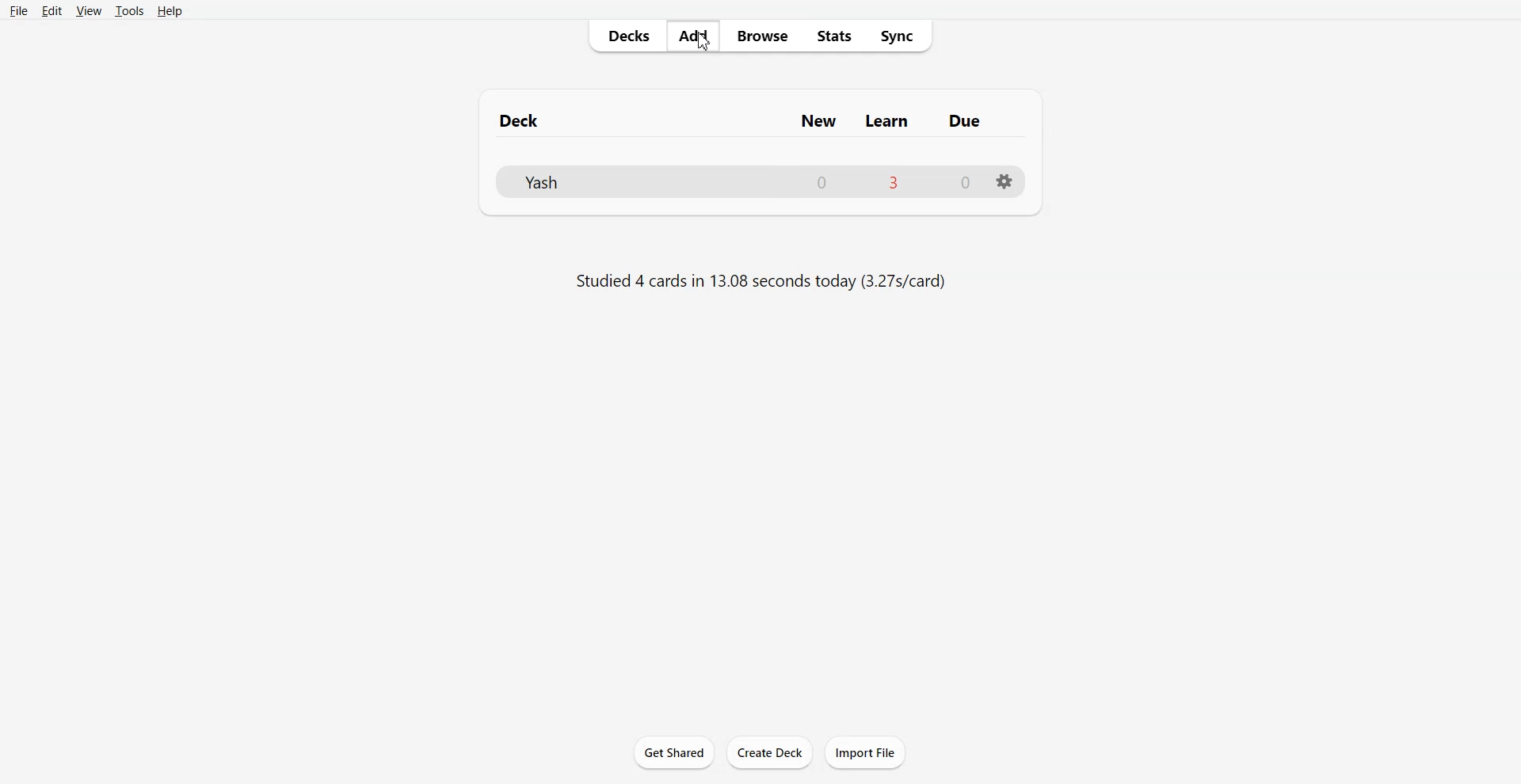 The height and width of the screenshot is (784, 1521). Describe the element at coordinates (756, 120) in the screenshot. I see `Text 1` at that location.